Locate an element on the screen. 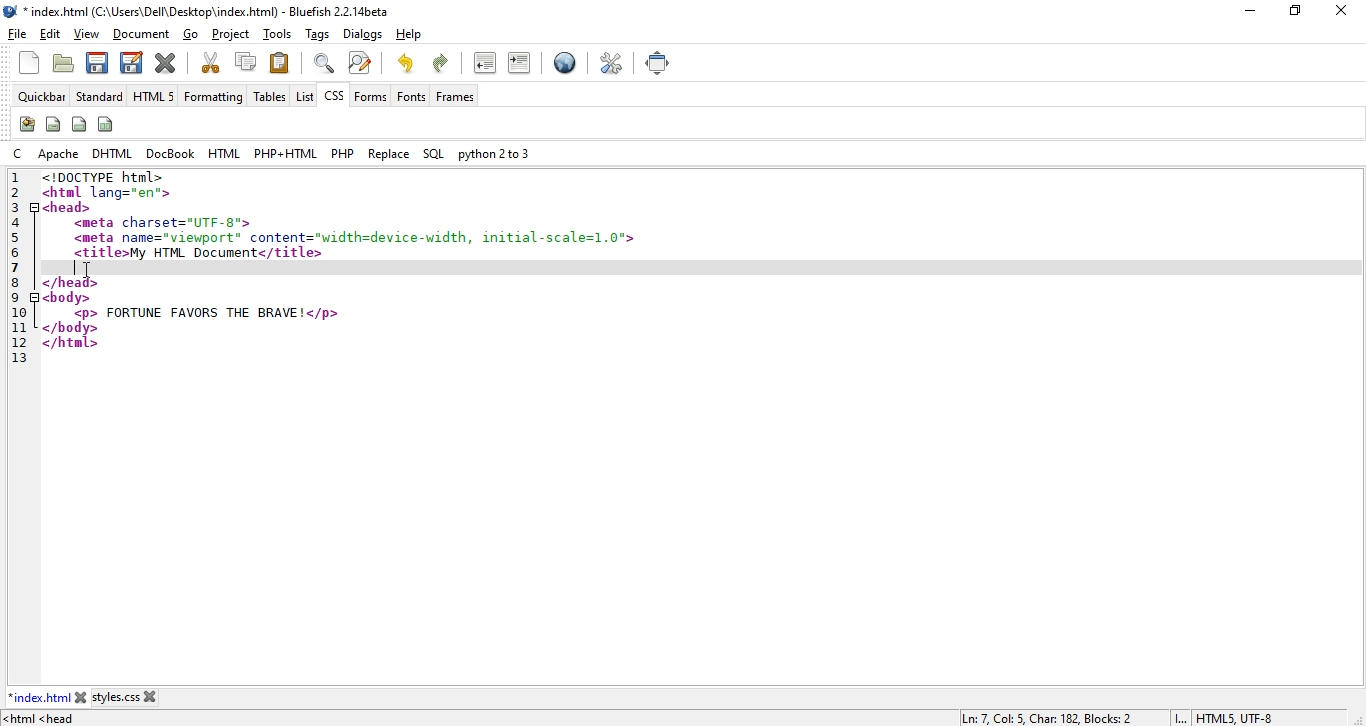  project is located at coordinates (232, 34).